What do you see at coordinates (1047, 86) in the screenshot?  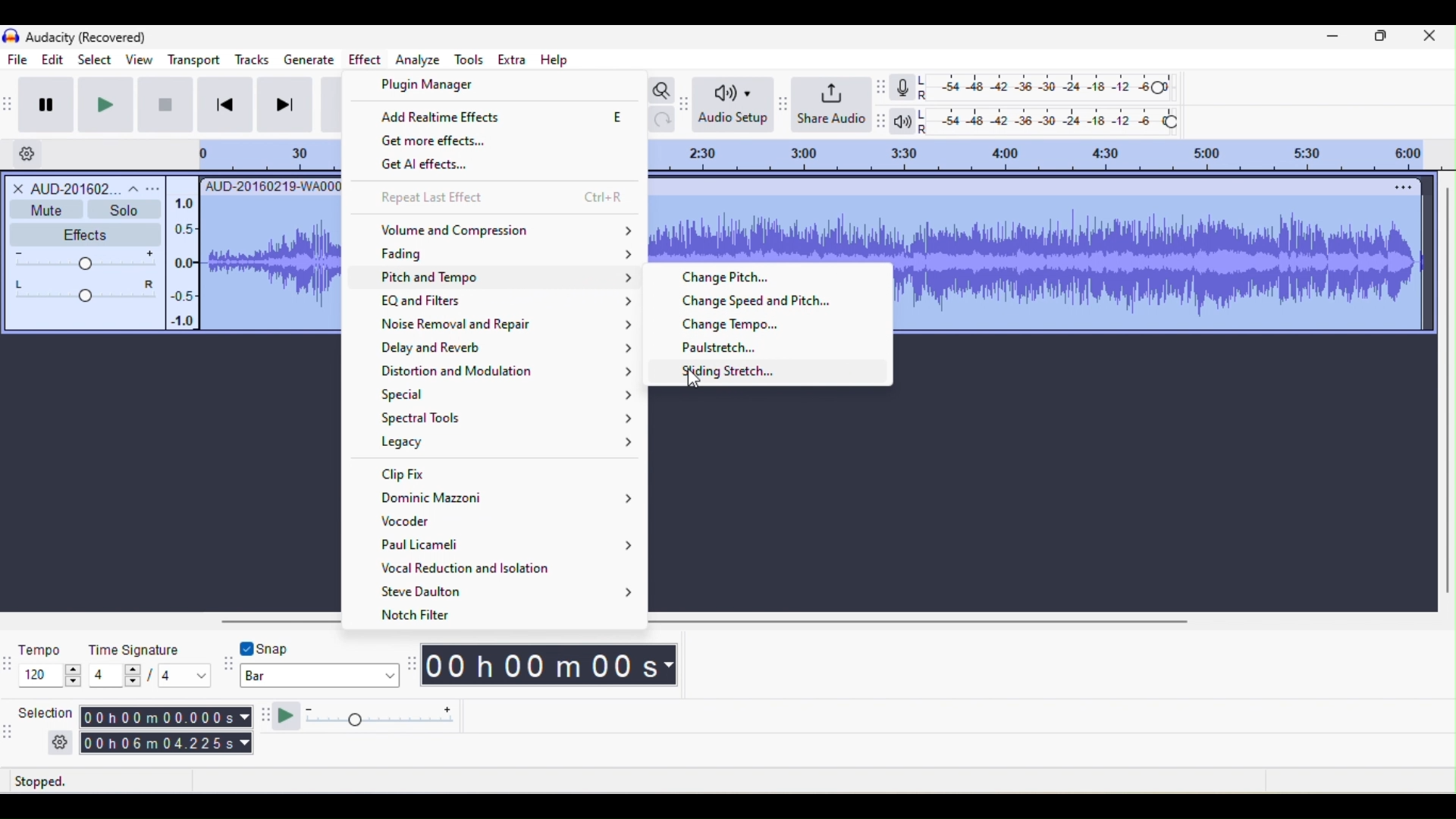 I see `recording level` at bounding box center [1047, 86].